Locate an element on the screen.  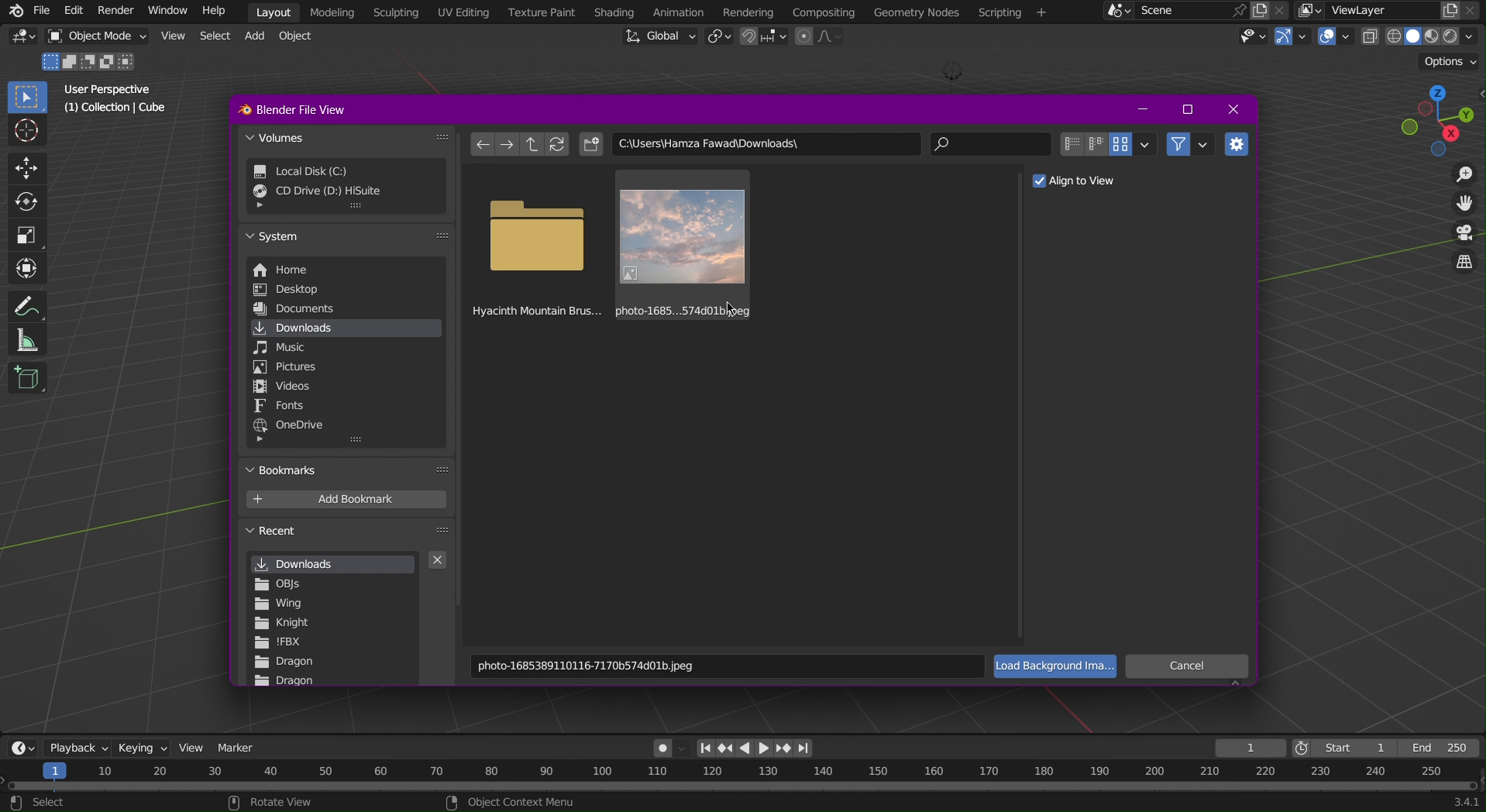
Scene is located at coordinates (1191, 11).